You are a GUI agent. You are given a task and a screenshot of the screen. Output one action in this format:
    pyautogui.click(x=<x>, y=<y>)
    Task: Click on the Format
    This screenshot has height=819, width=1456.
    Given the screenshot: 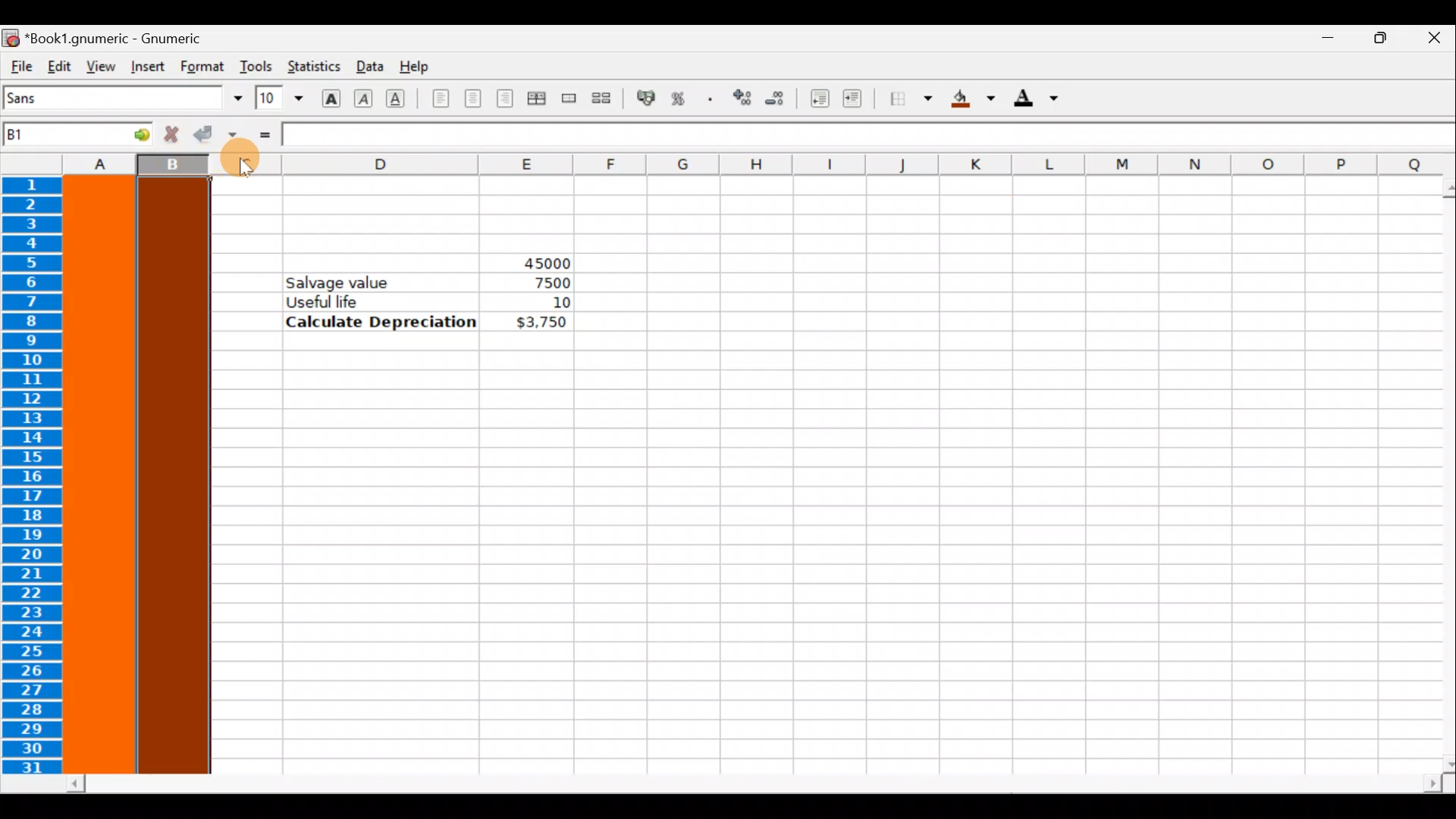 What is the action you would take?
    pyautogui.click(x=204, y=66)
    